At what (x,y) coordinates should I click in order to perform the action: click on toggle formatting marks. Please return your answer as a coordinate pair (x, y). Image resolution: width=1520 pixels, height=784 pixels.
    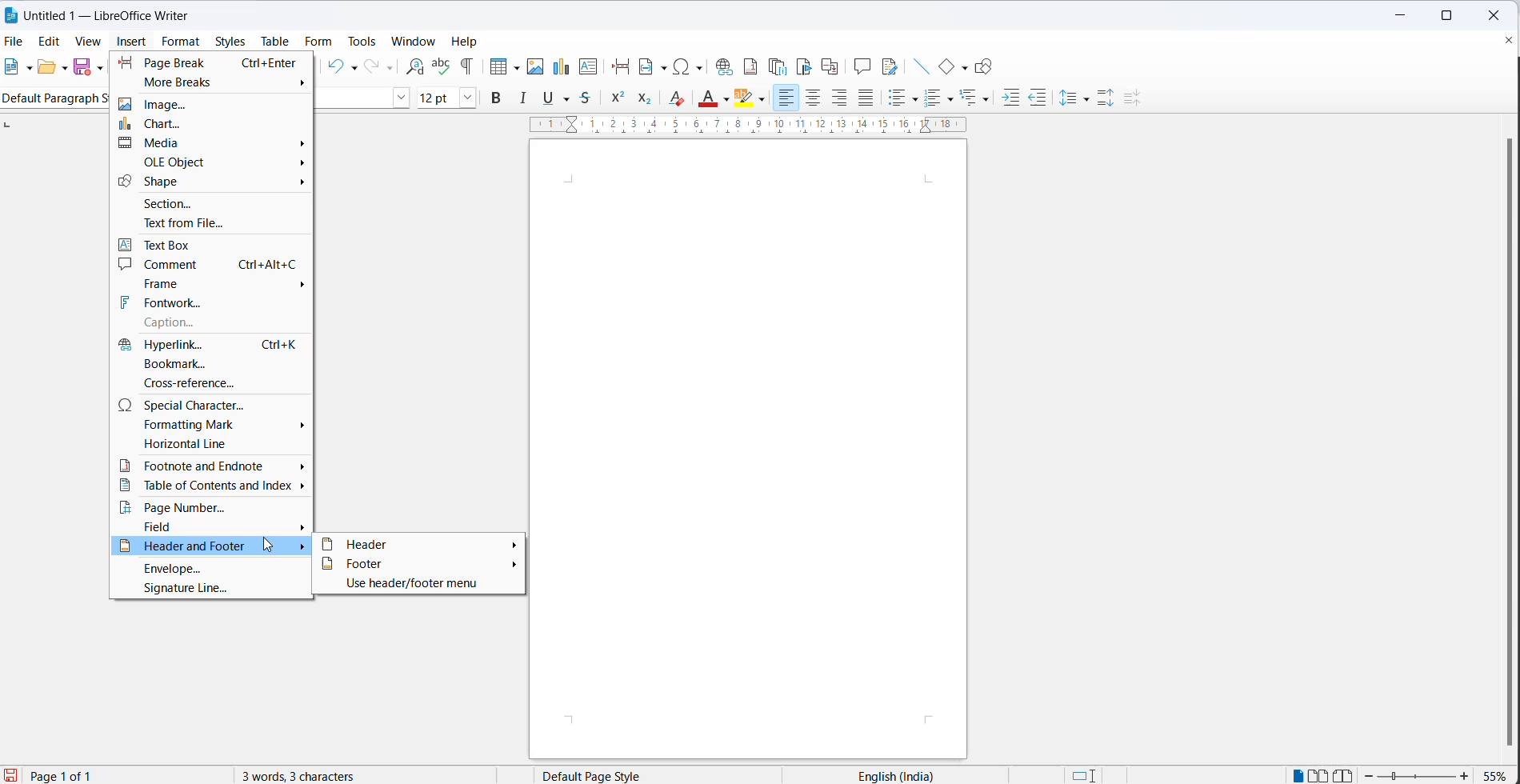
    Looking at the image, I should click on (464, 67).